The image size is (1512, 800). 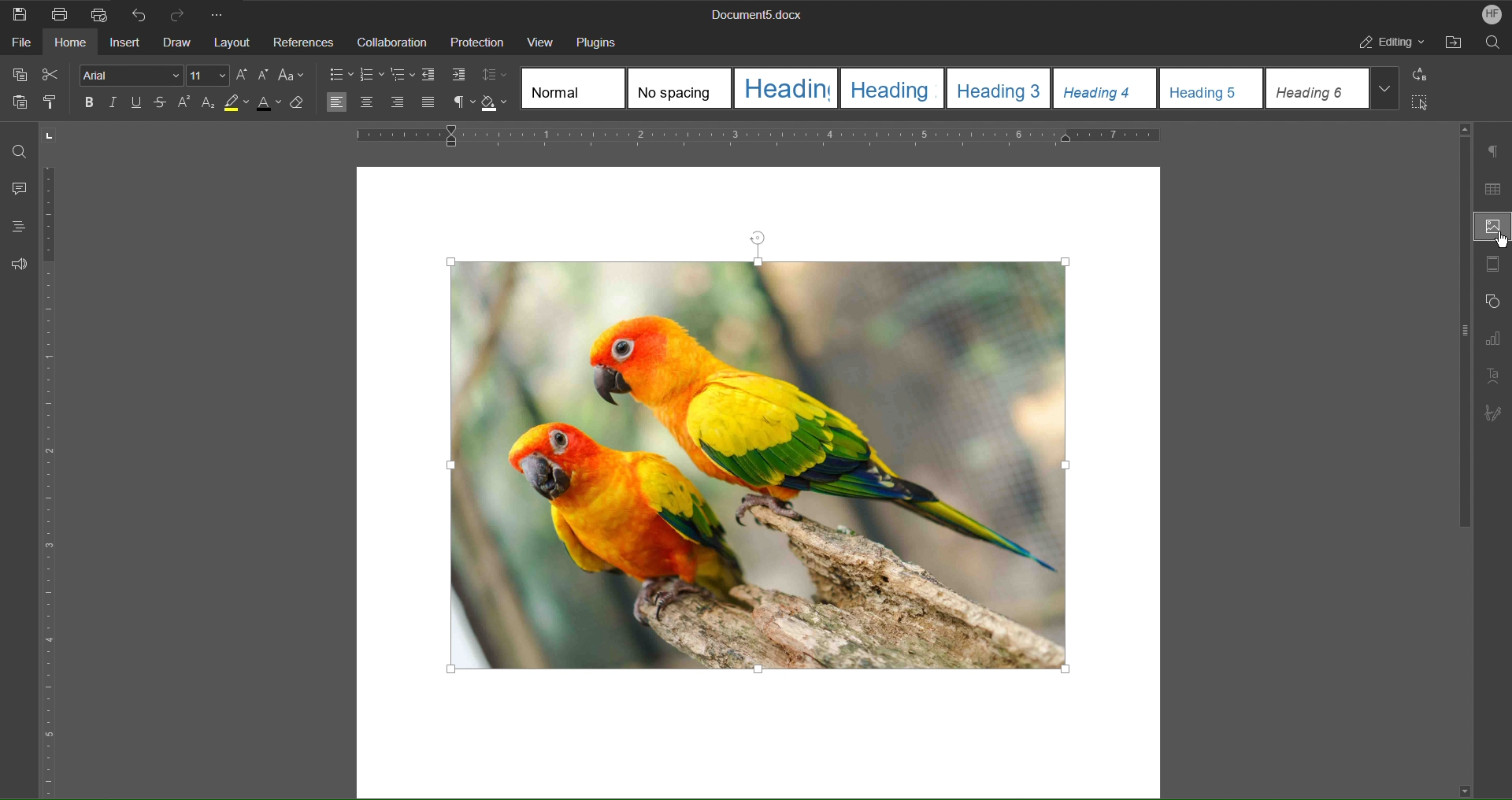 I want to click on Increase Size, so click(x=244, y=75).